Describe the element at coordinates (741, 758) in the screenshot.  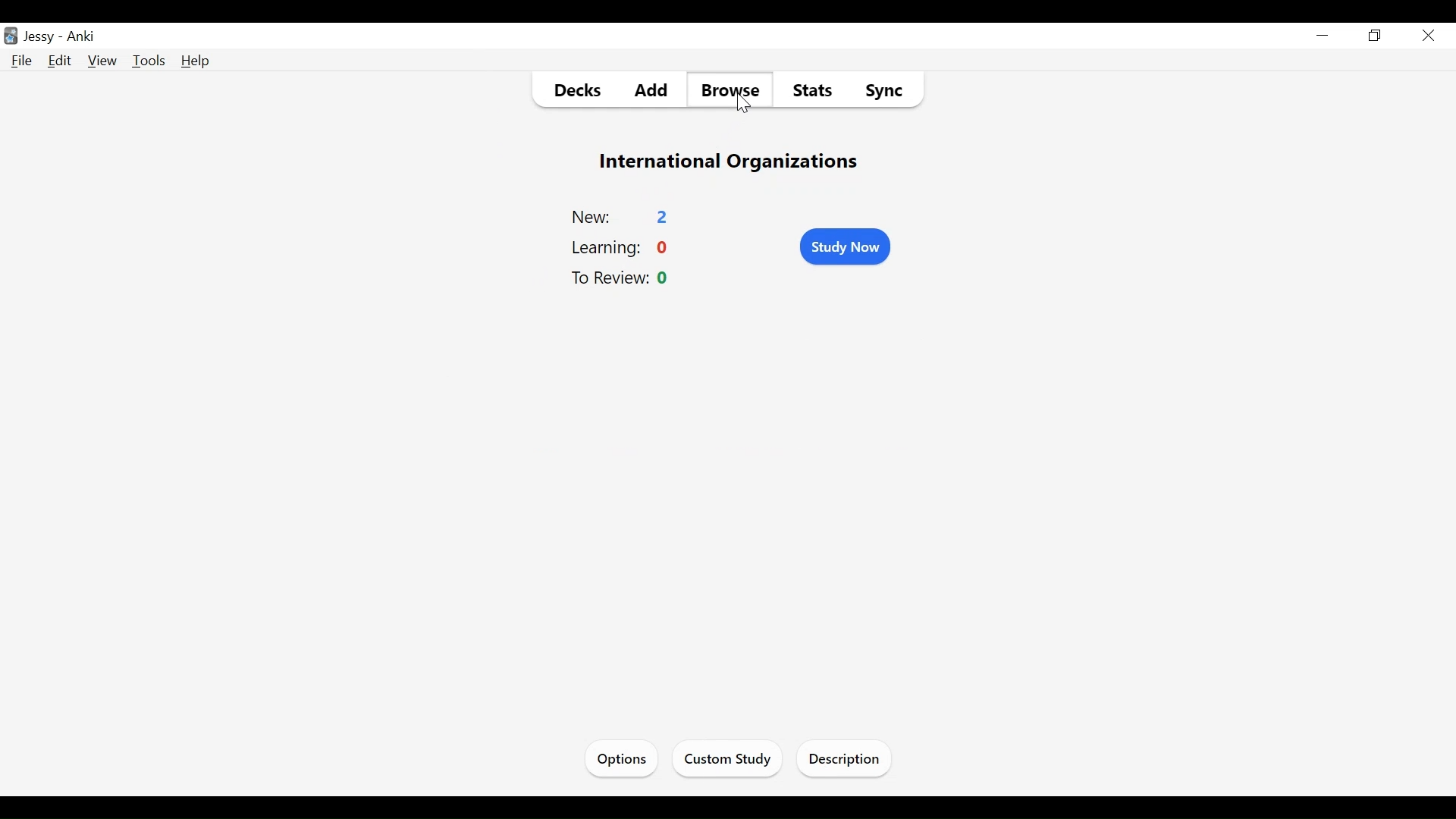
I see `Create Deck` at that location.